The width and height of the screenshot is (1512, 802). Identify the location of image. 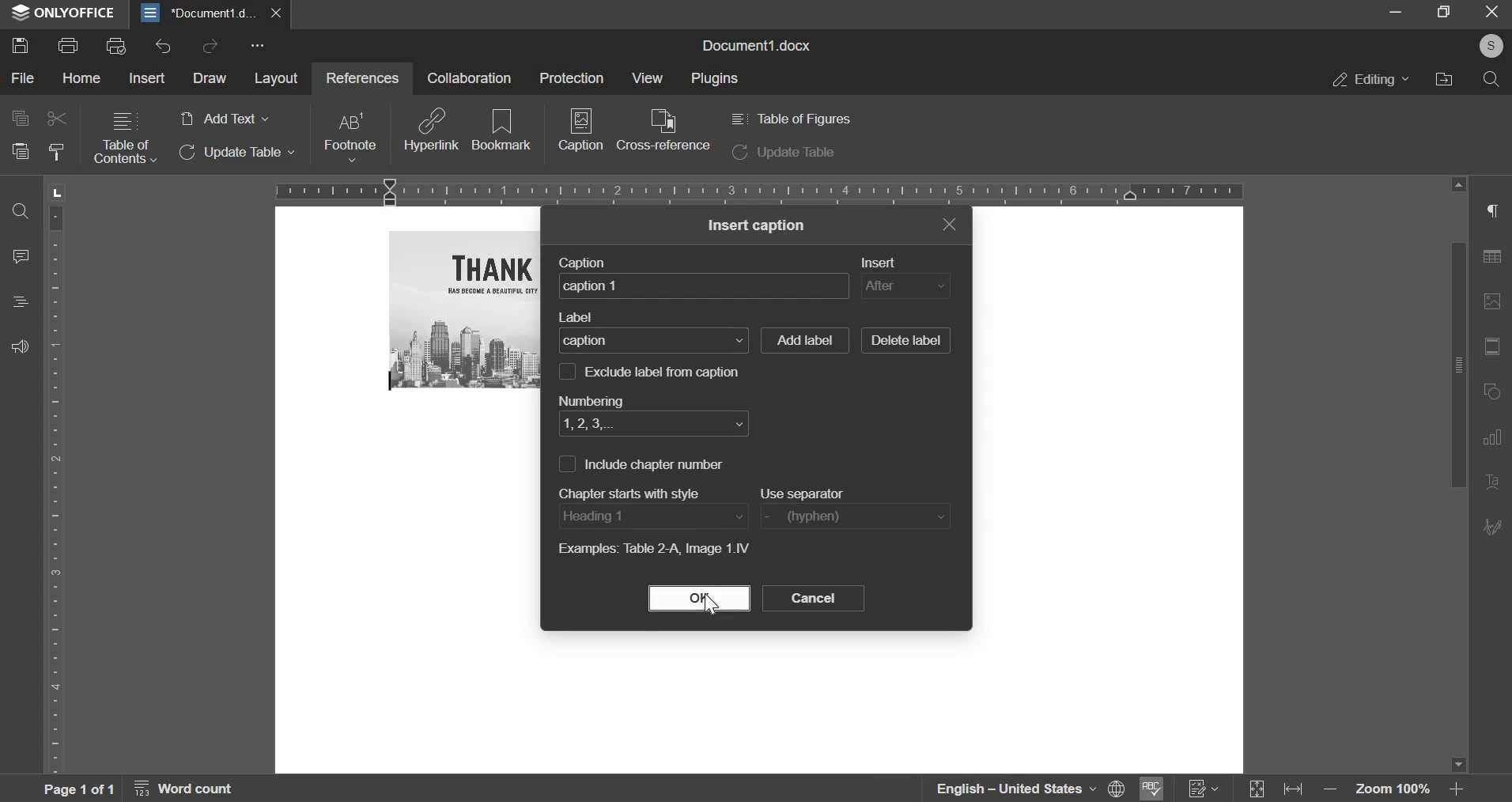
(467, 309).